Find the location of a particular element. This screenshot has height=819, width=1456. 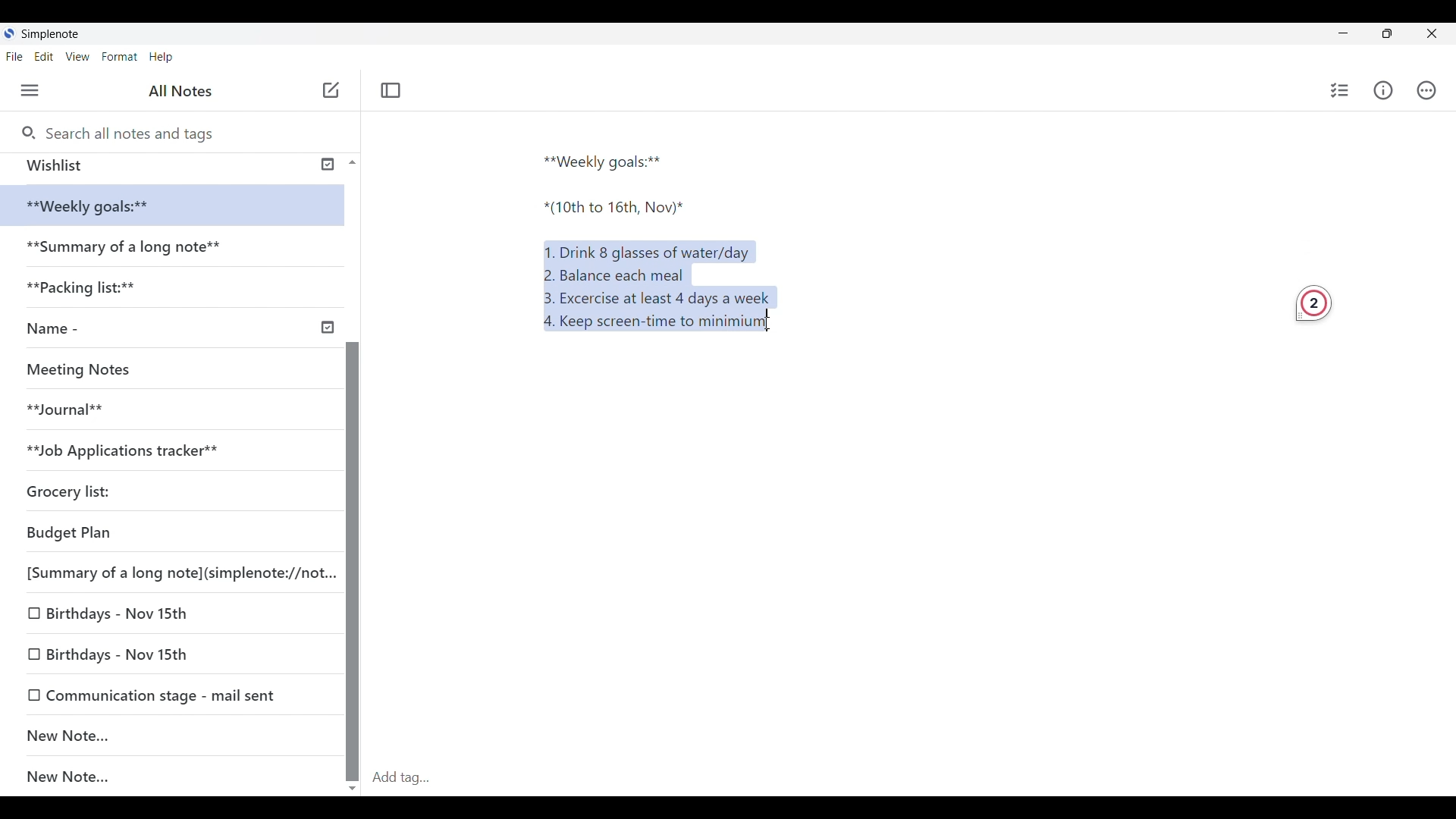

**Job Applications tracker** is located at coordinates (137, 450).